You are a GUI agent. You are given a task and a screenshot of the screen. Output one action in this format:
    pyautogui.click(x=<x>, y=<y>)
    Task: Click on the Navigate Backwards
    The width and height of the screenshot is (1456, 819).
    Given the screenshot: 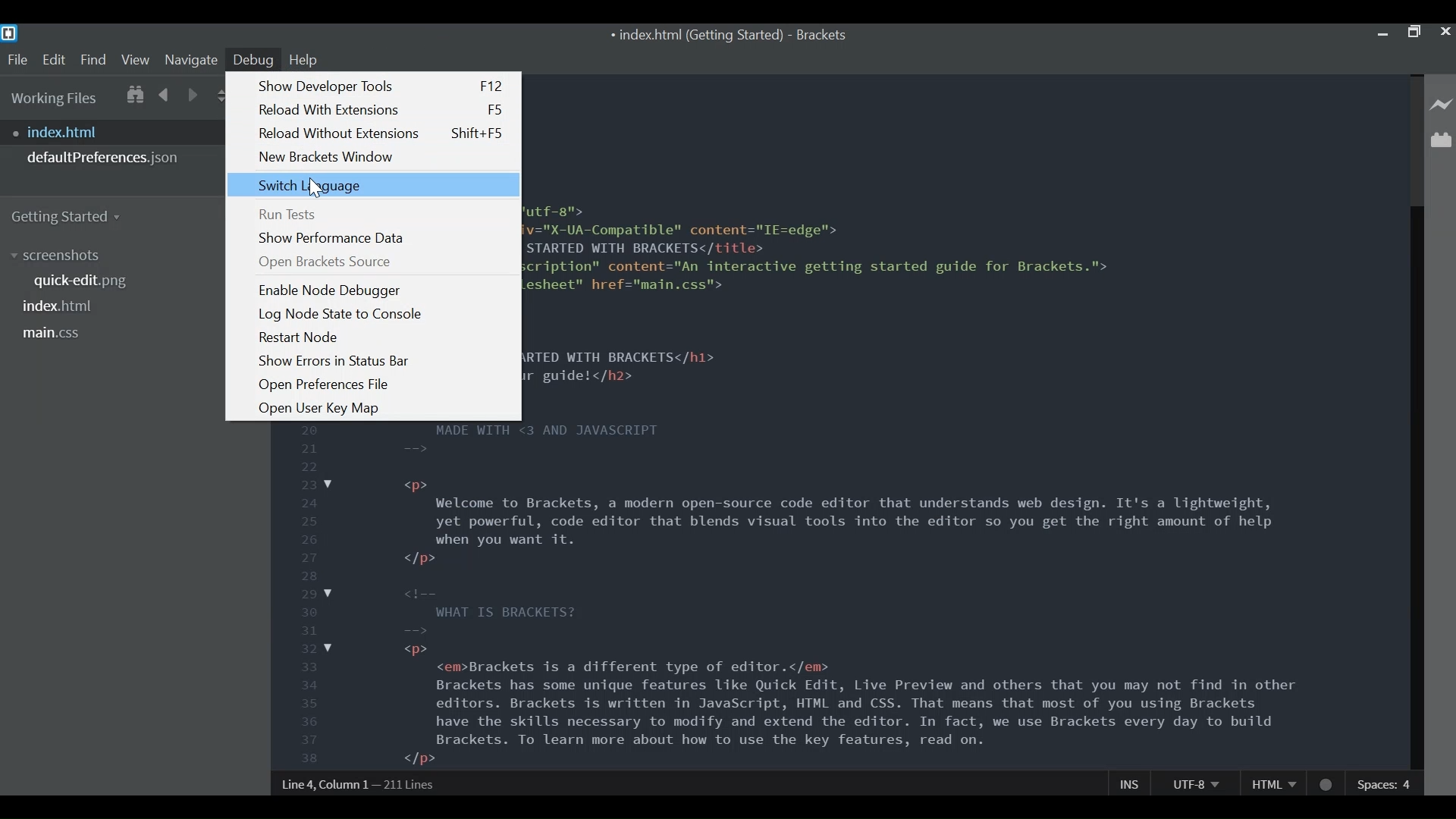 What is the action you would take?
    pyautogui.click(x=165, y=93)
    